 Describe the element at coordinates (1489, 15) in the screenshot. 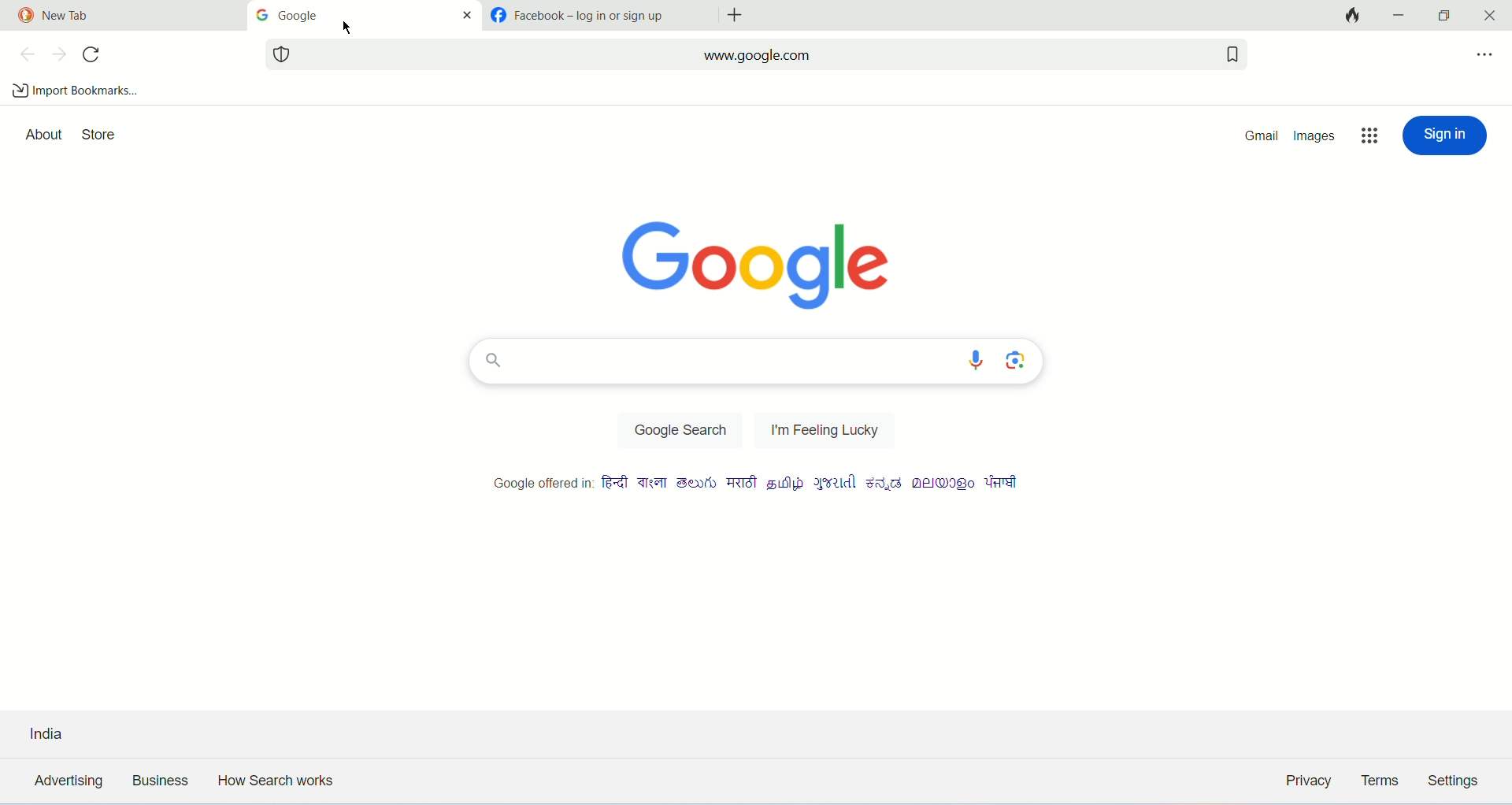

I see `close` at that location.